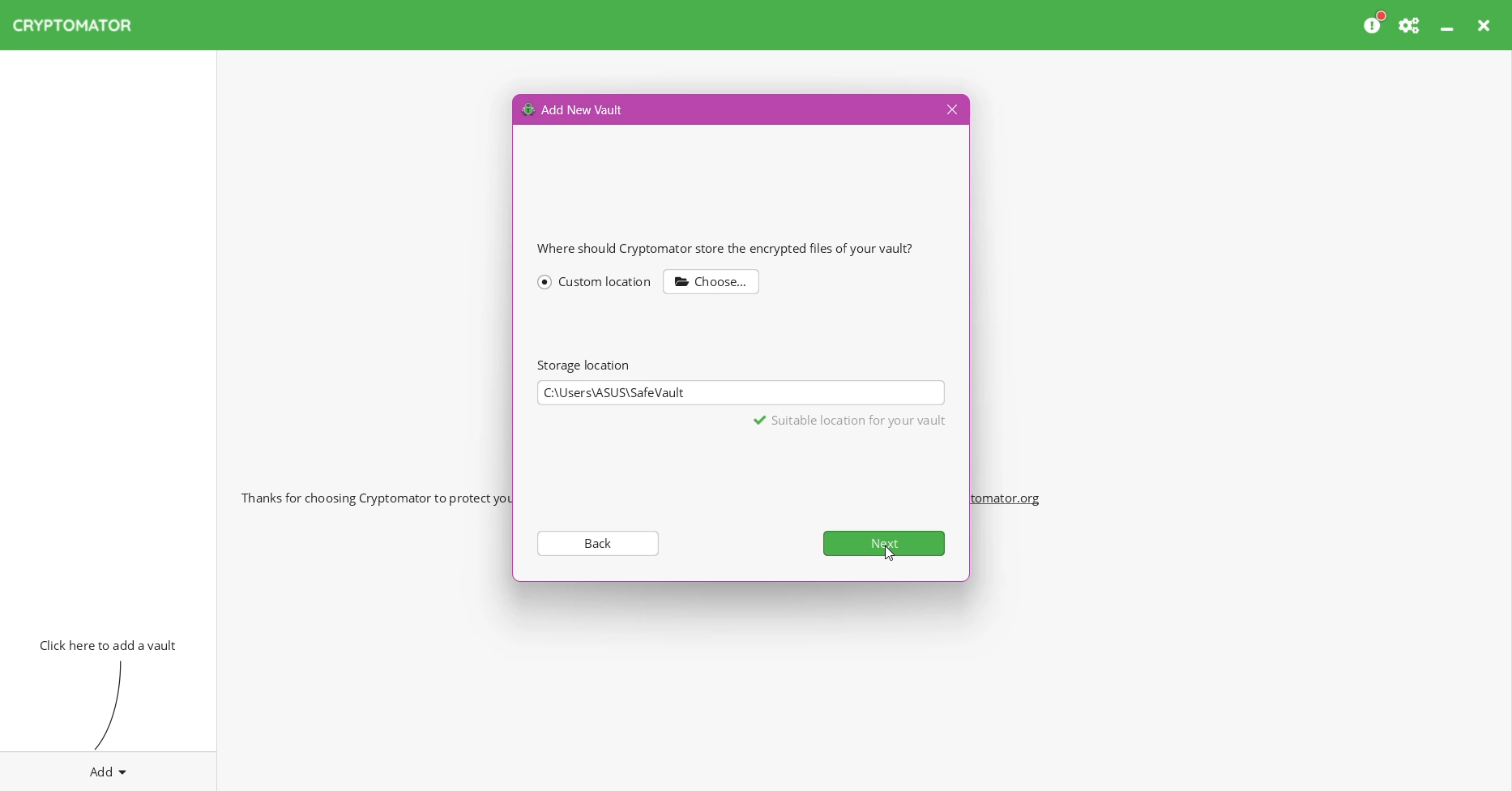  I want to click on Back, so click(596, 542).